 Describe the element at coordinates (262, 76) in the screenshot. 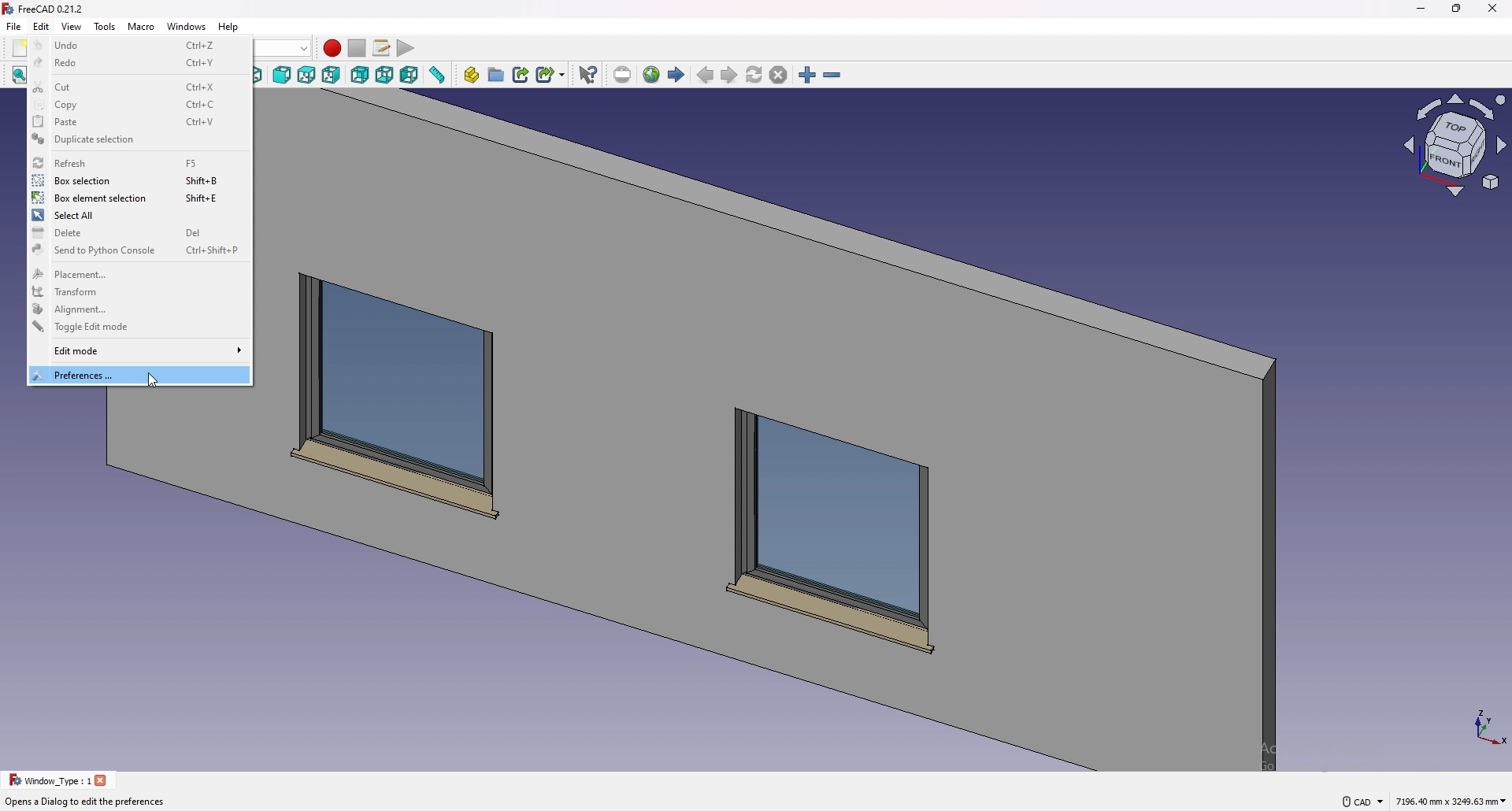

I see `isometric` at that location.